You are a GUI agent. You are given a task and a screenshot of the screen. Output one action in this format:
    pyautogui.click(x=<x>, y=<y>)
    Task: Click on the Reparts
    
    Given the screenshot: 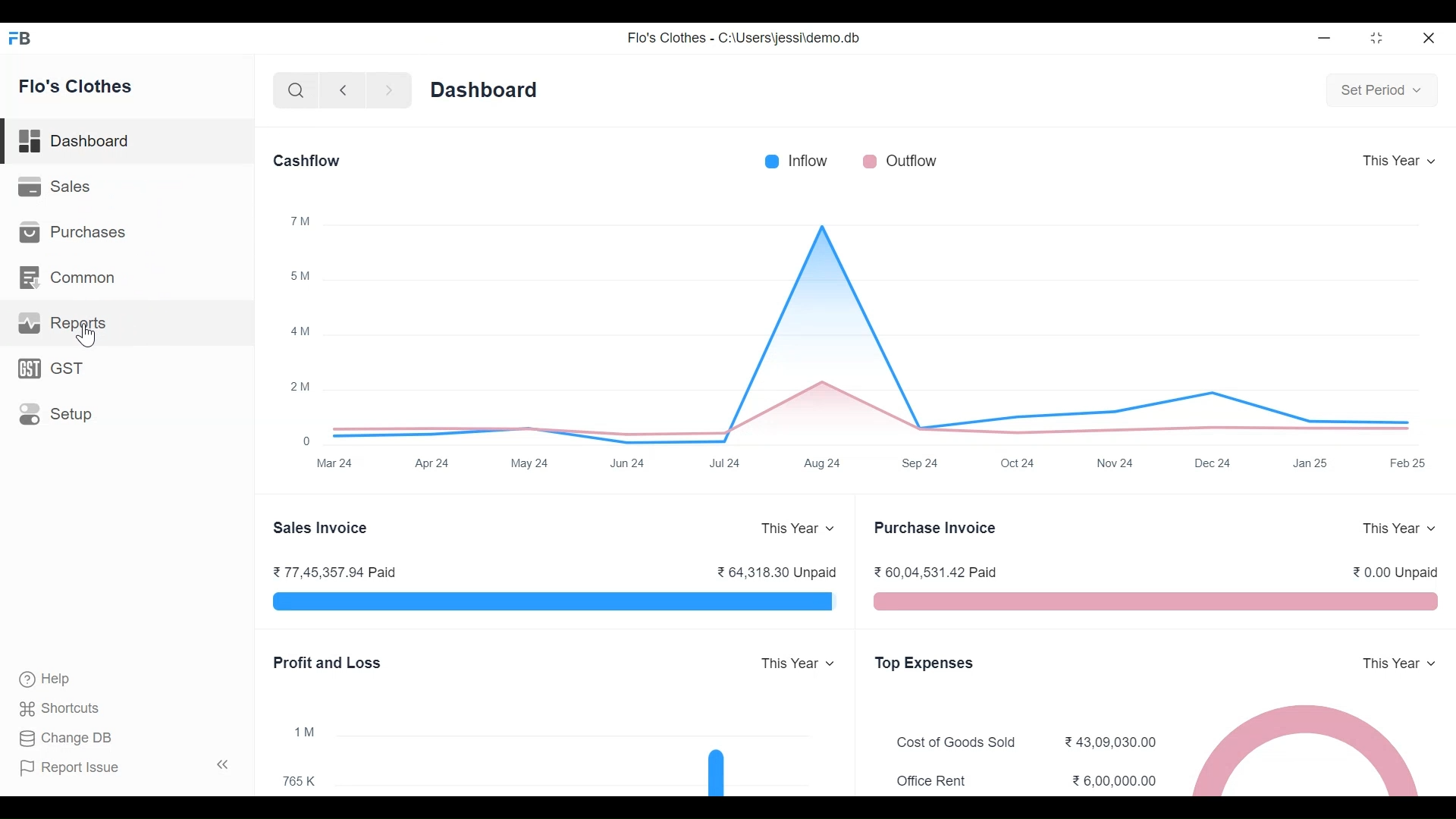 What is the action you would take?
    pyautogui.click(x=66, y=322)
    